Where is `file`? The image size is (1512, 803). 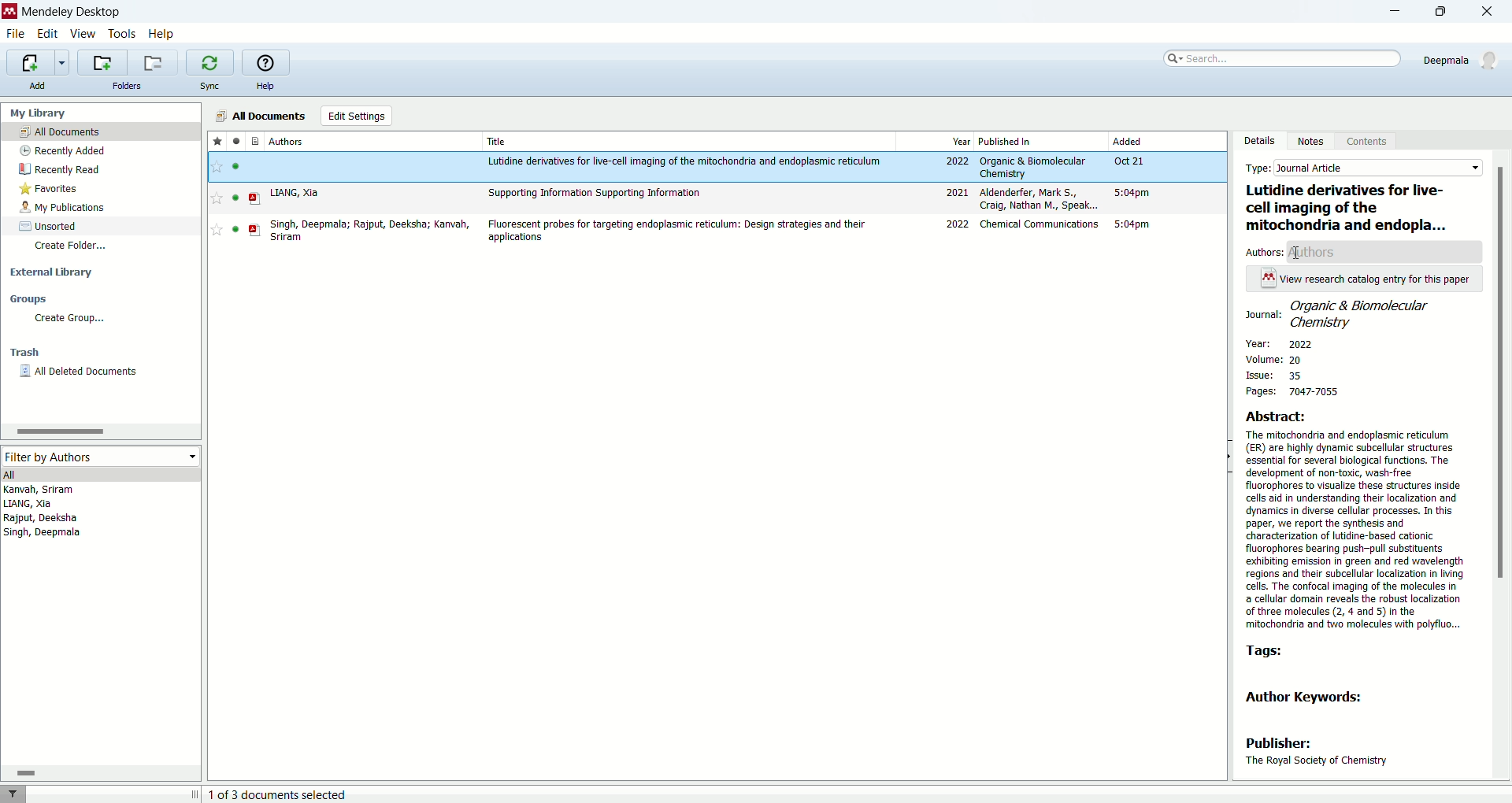 file is located at coordinates (18, 34).